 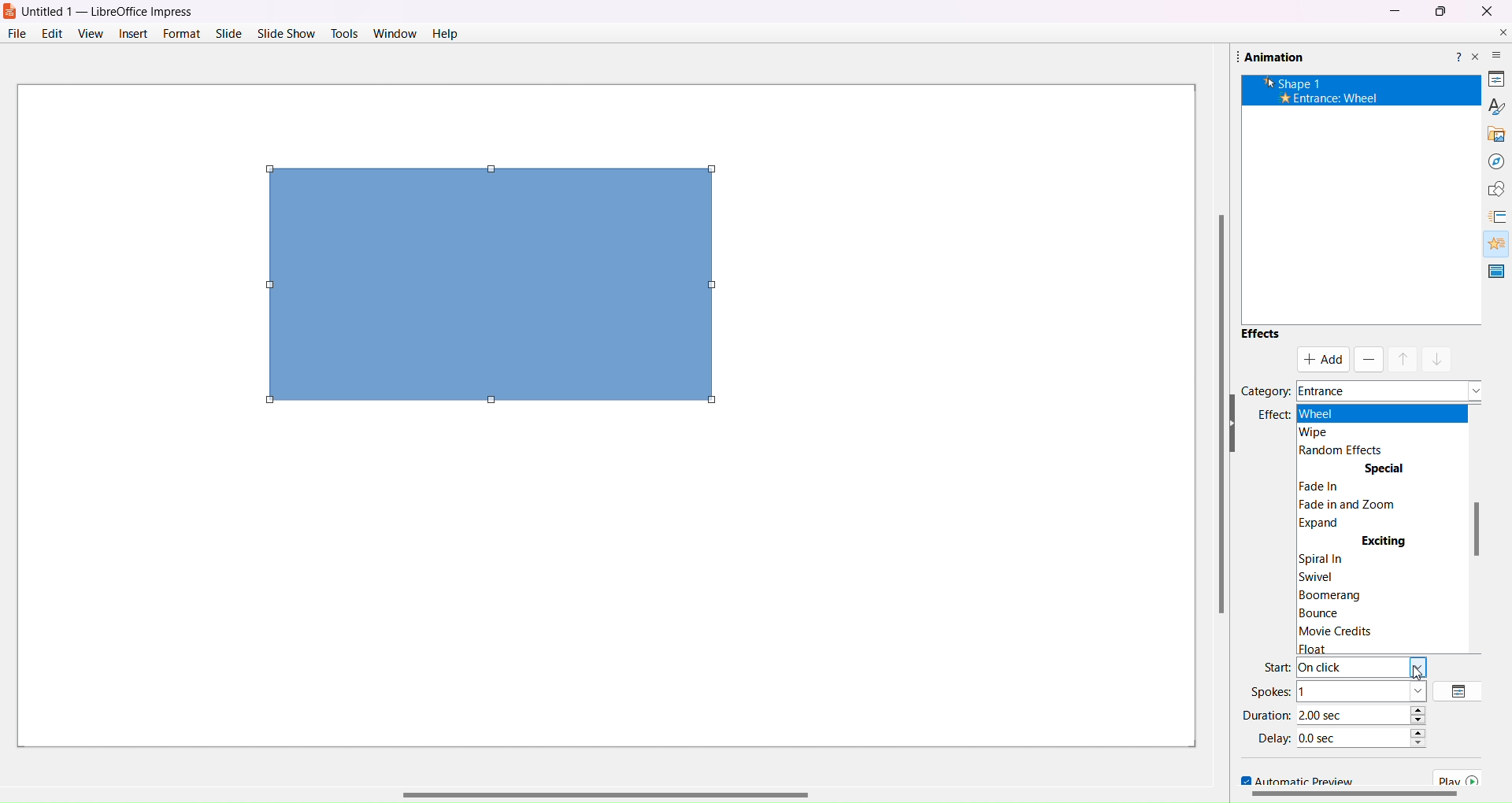 I want to click on Effect Element Space, so click(x=1385, y=528).